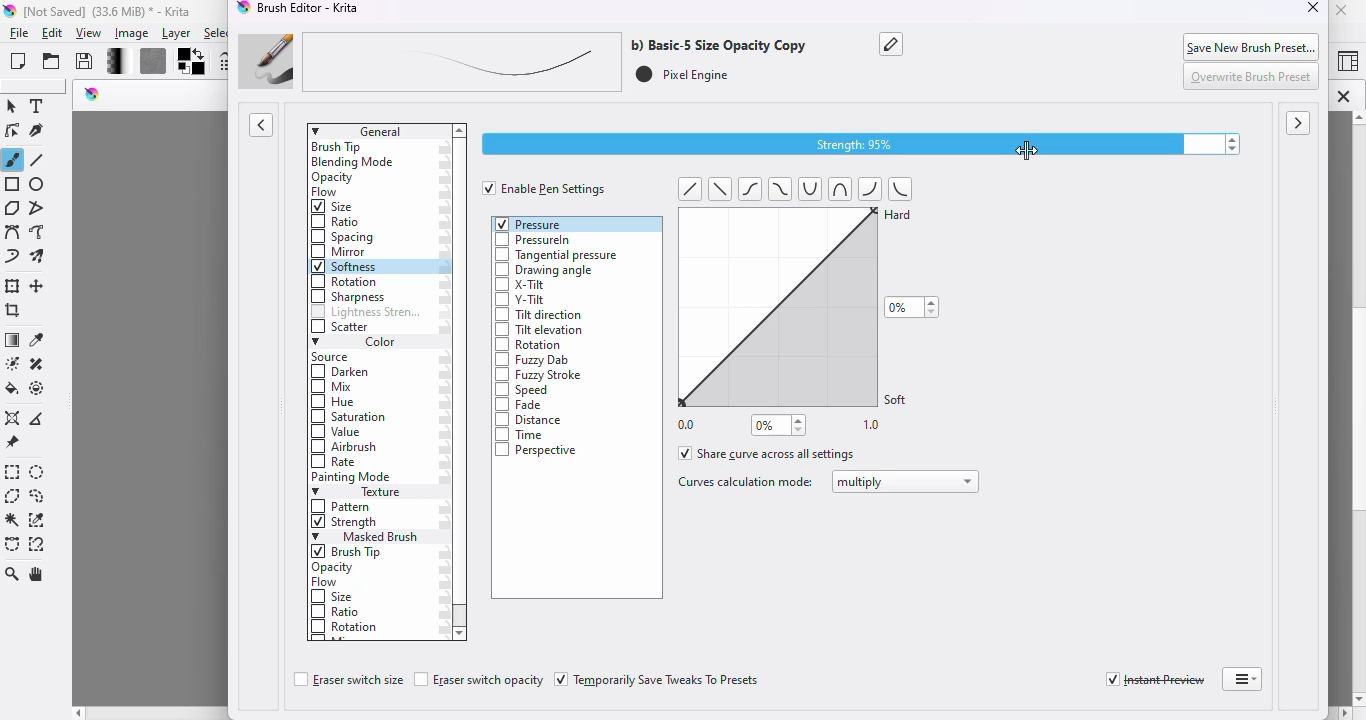 The image size is (1366, 720). I want to click on mirror, so click(341, 252).